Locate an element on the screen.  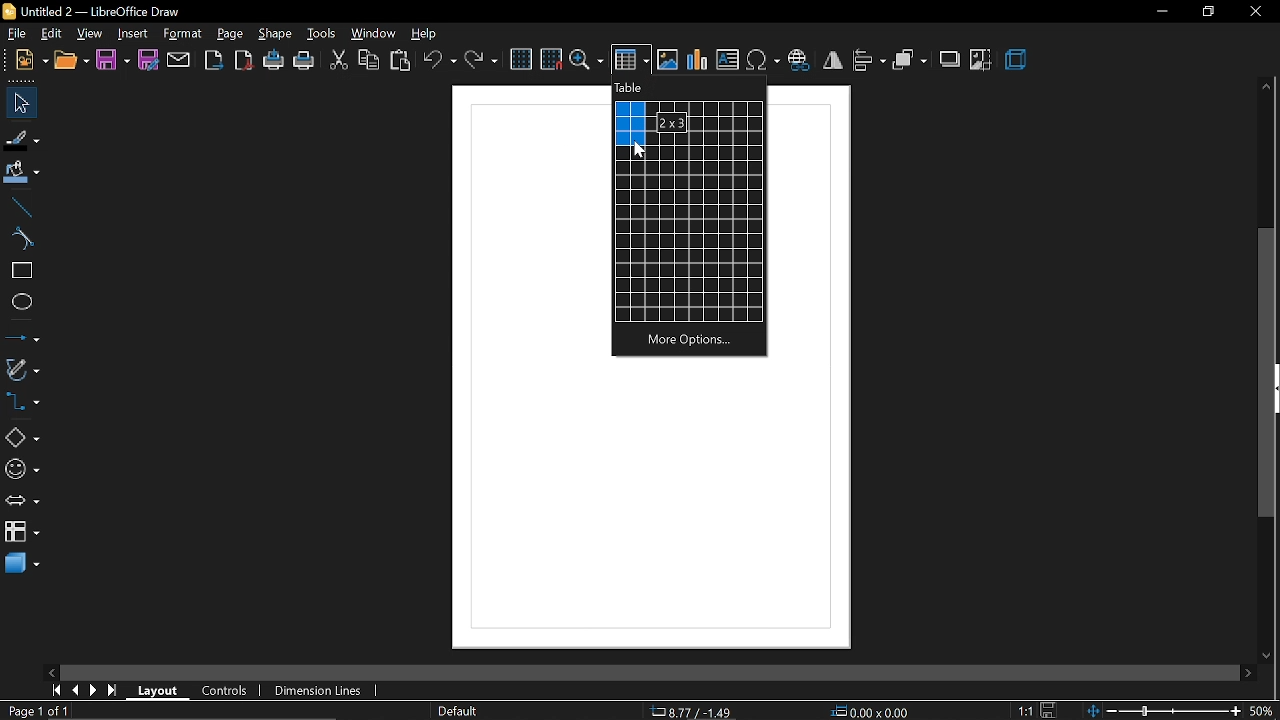
50% is located at coordinates (1264, 710).